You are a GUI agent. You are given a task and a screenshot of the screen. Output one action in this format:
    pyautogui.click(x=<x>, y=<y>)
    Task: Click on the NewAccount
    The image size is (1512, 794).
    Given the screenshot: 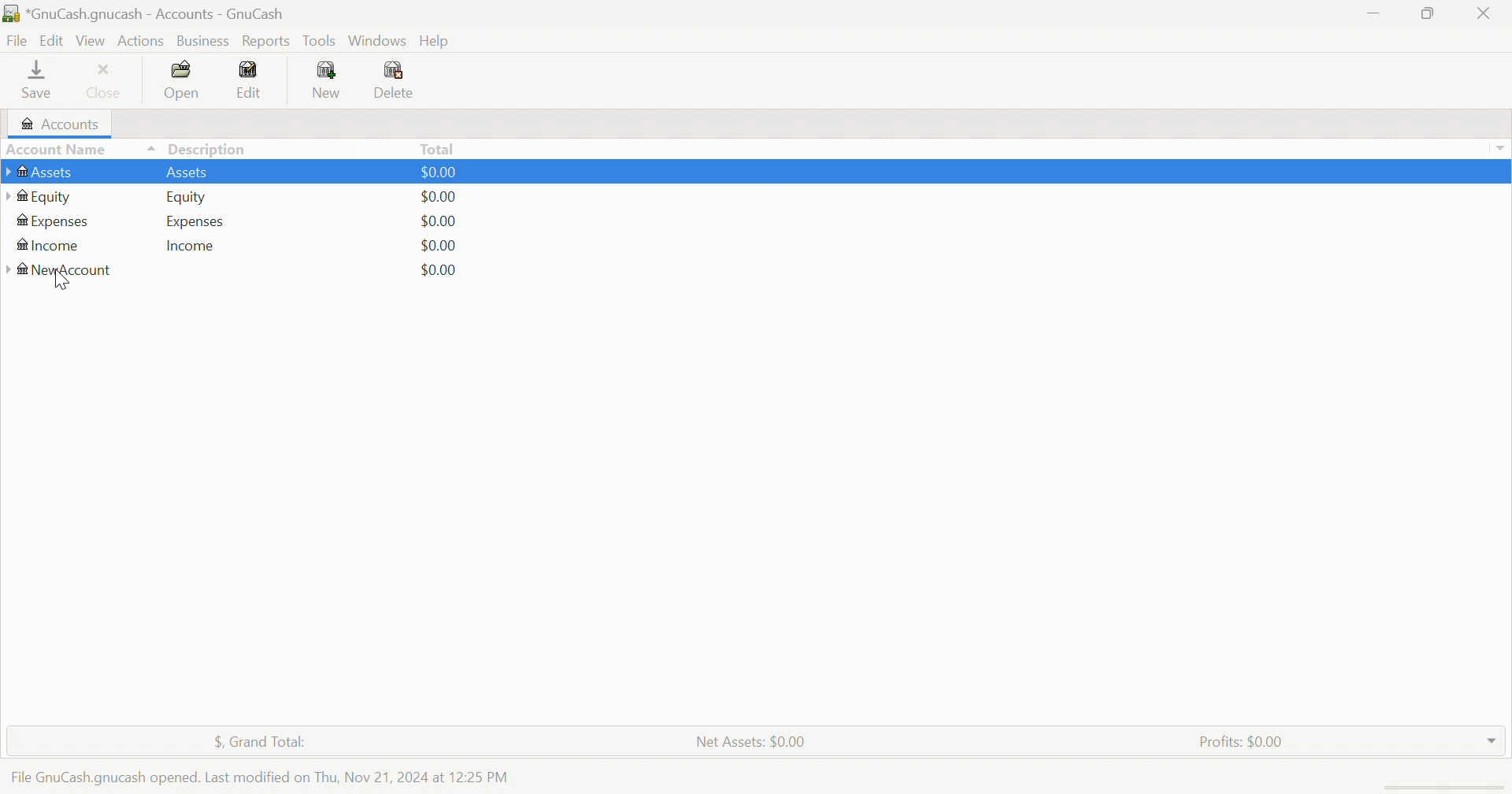 What is the action you would take?
    pyautogui.click(x=62, y=273)
    